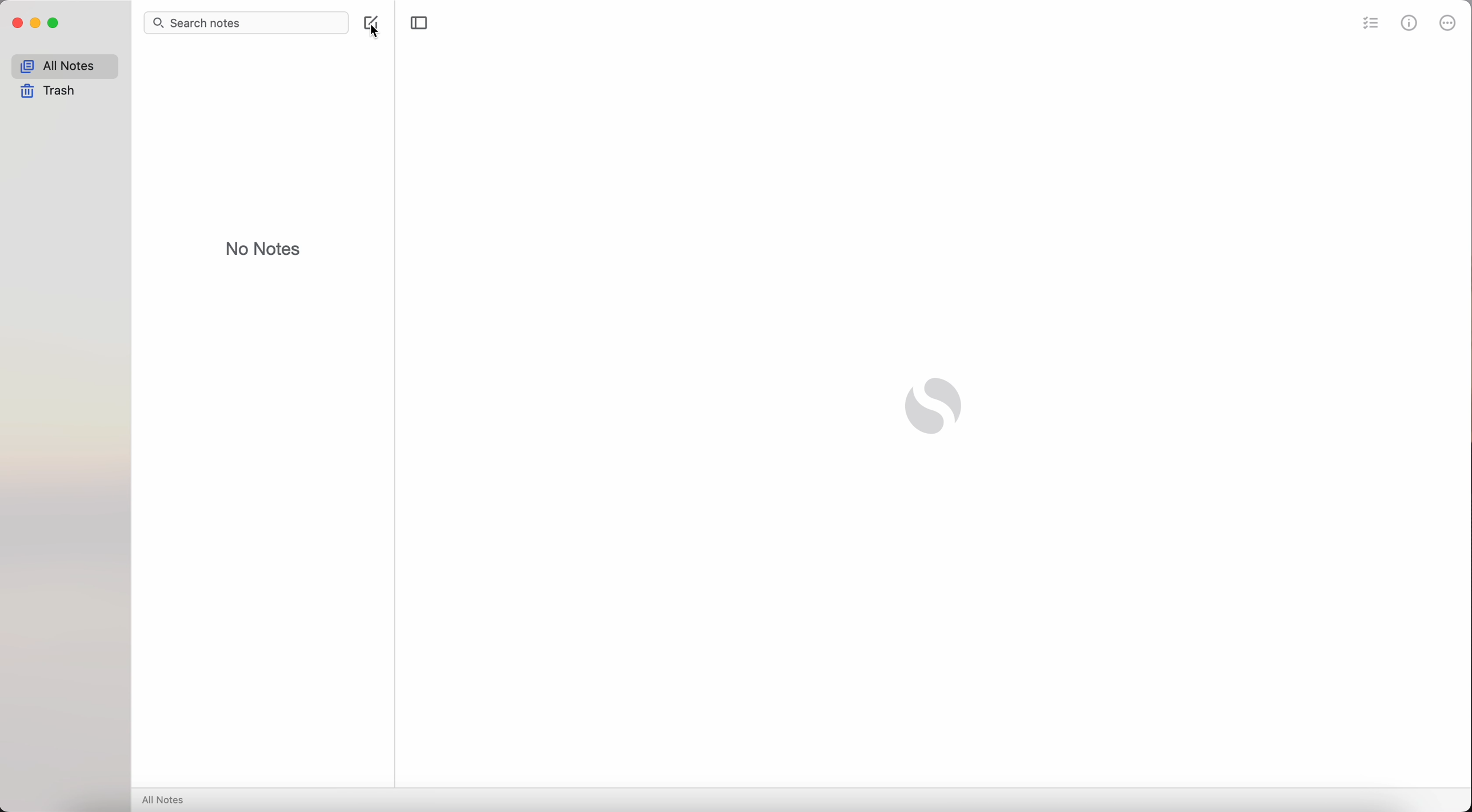 This screenshot has height=812, width=1472. I want to click on more options, so click(1446, 23).